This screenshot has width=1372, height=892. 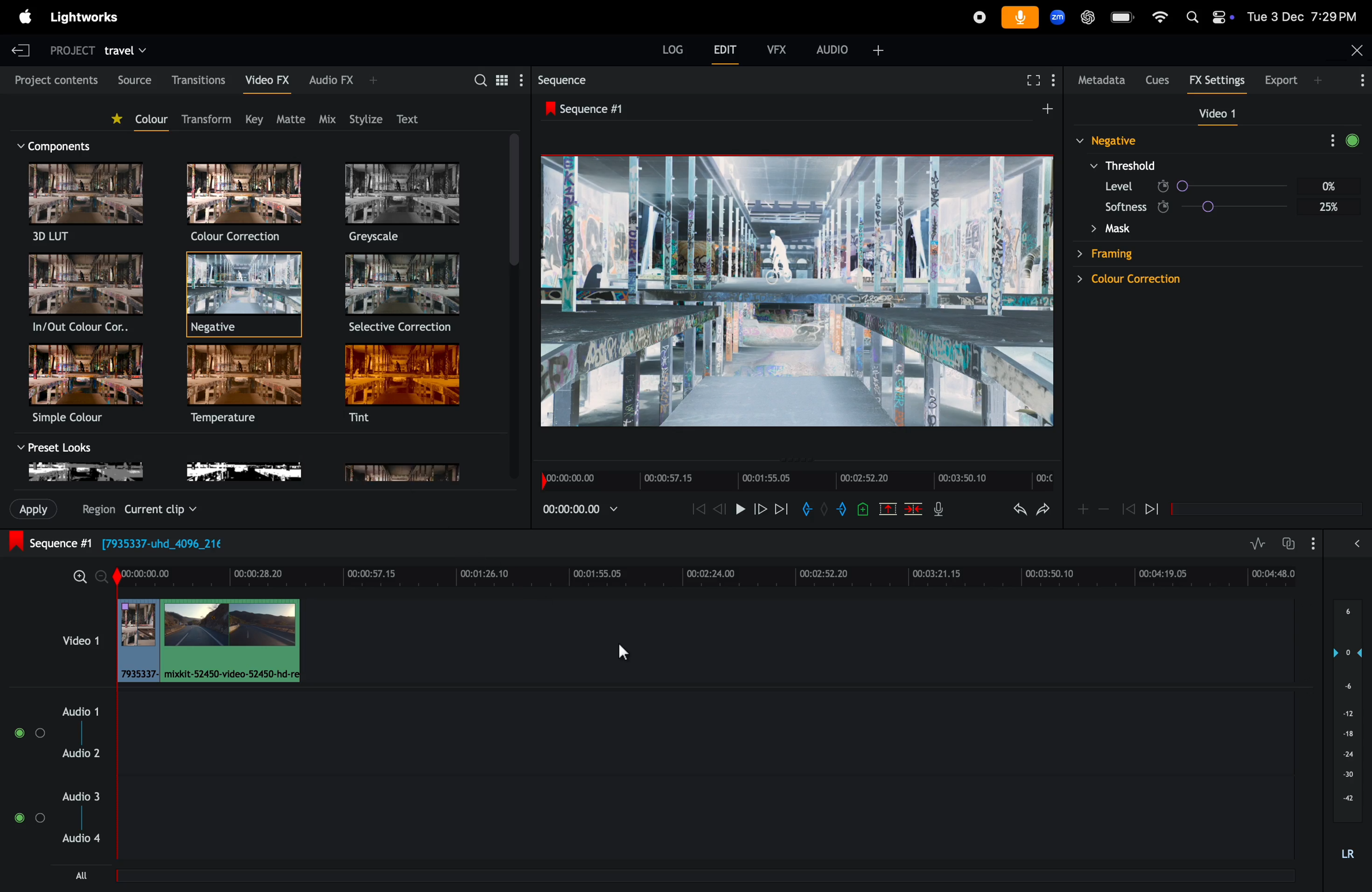 I want to click on framing, so click(x=1178, y=140).